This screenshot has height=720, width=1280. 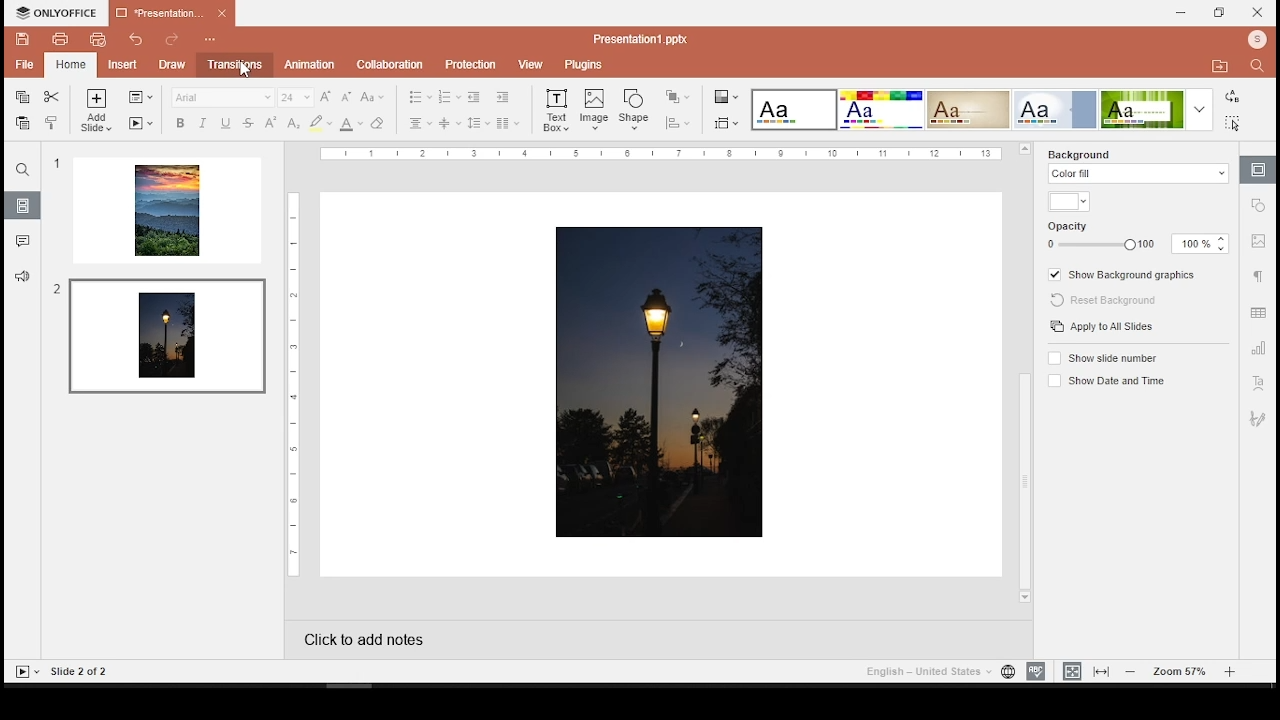 I want to click on restore, so click(x=1220, y=13).